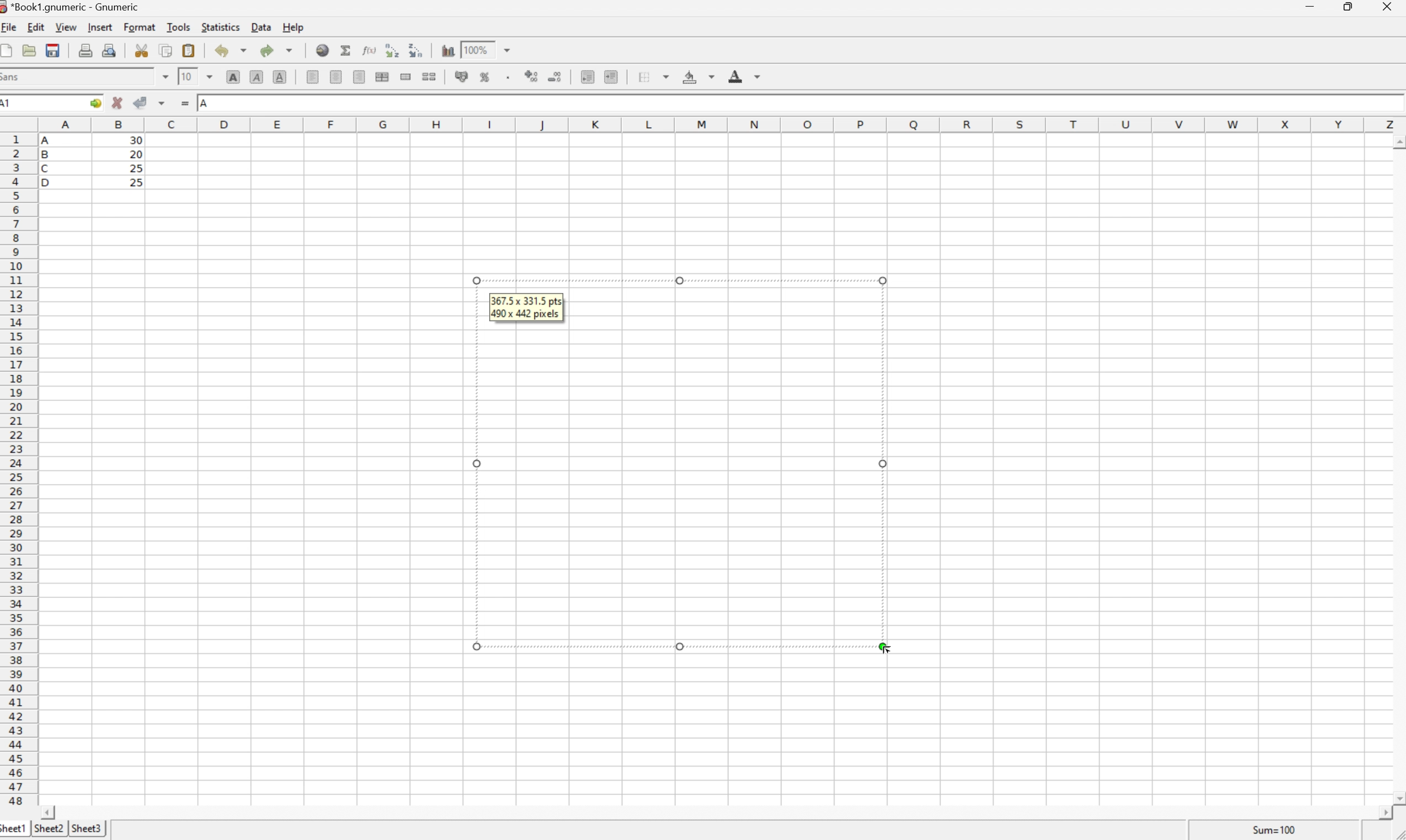 The width and height of the screenshot is (1406, 840). I want to click on Decrease number of decimals displayed, so click(557, 78).